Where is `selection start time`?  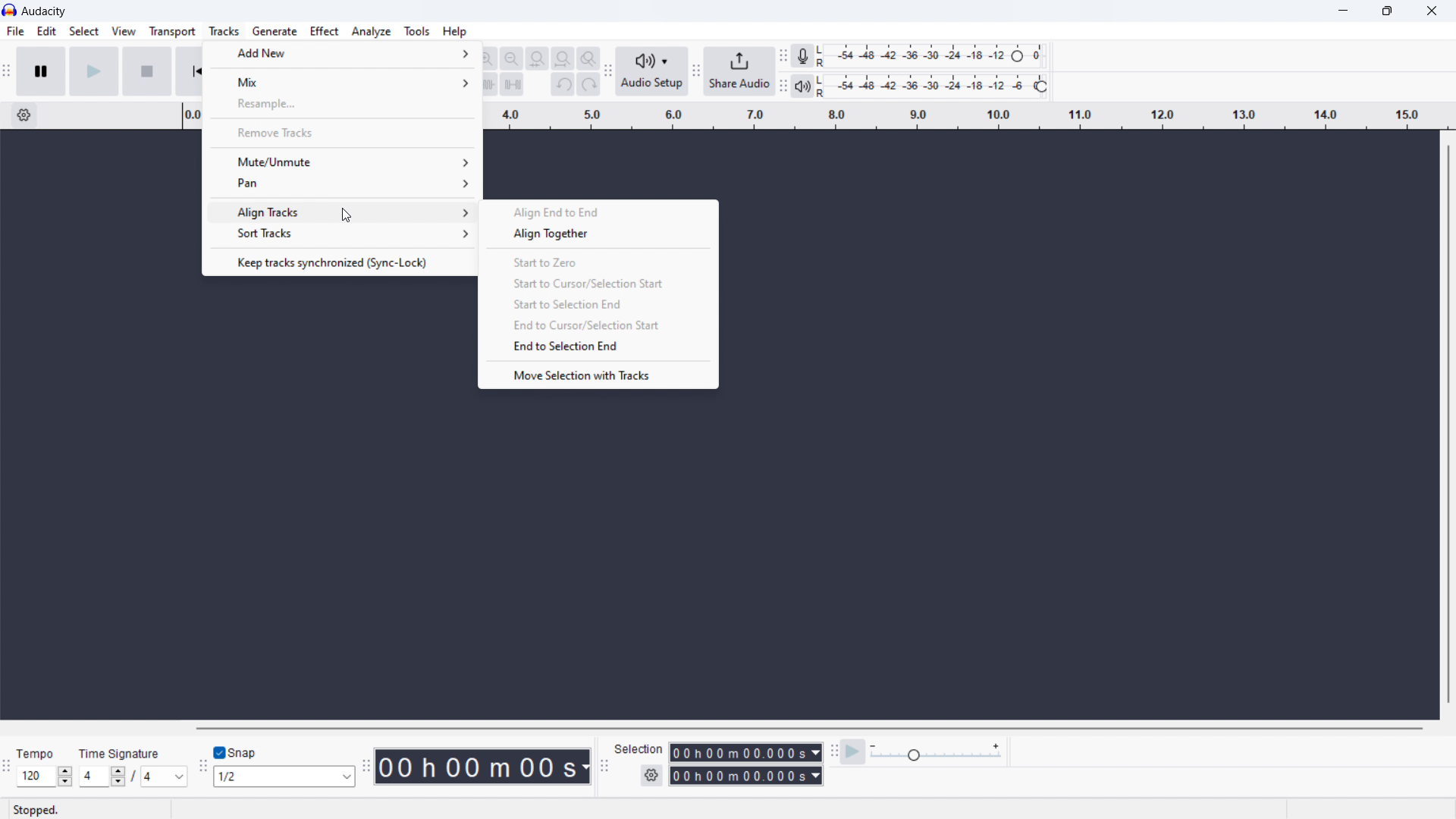 selection start time is located at coordinates (746, 752).